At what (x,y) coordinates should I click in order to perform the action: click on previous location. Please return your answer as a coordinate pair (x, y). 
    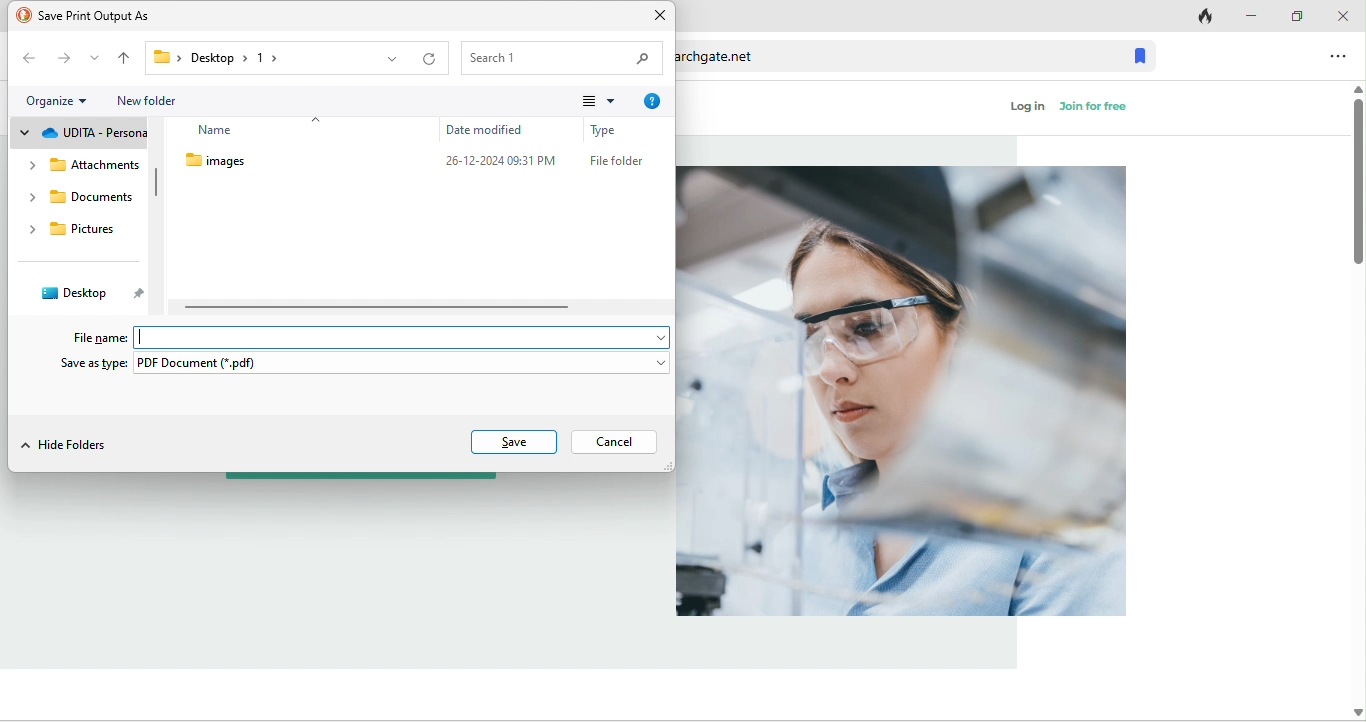
    Looking at the image, I should click on (389, 58).